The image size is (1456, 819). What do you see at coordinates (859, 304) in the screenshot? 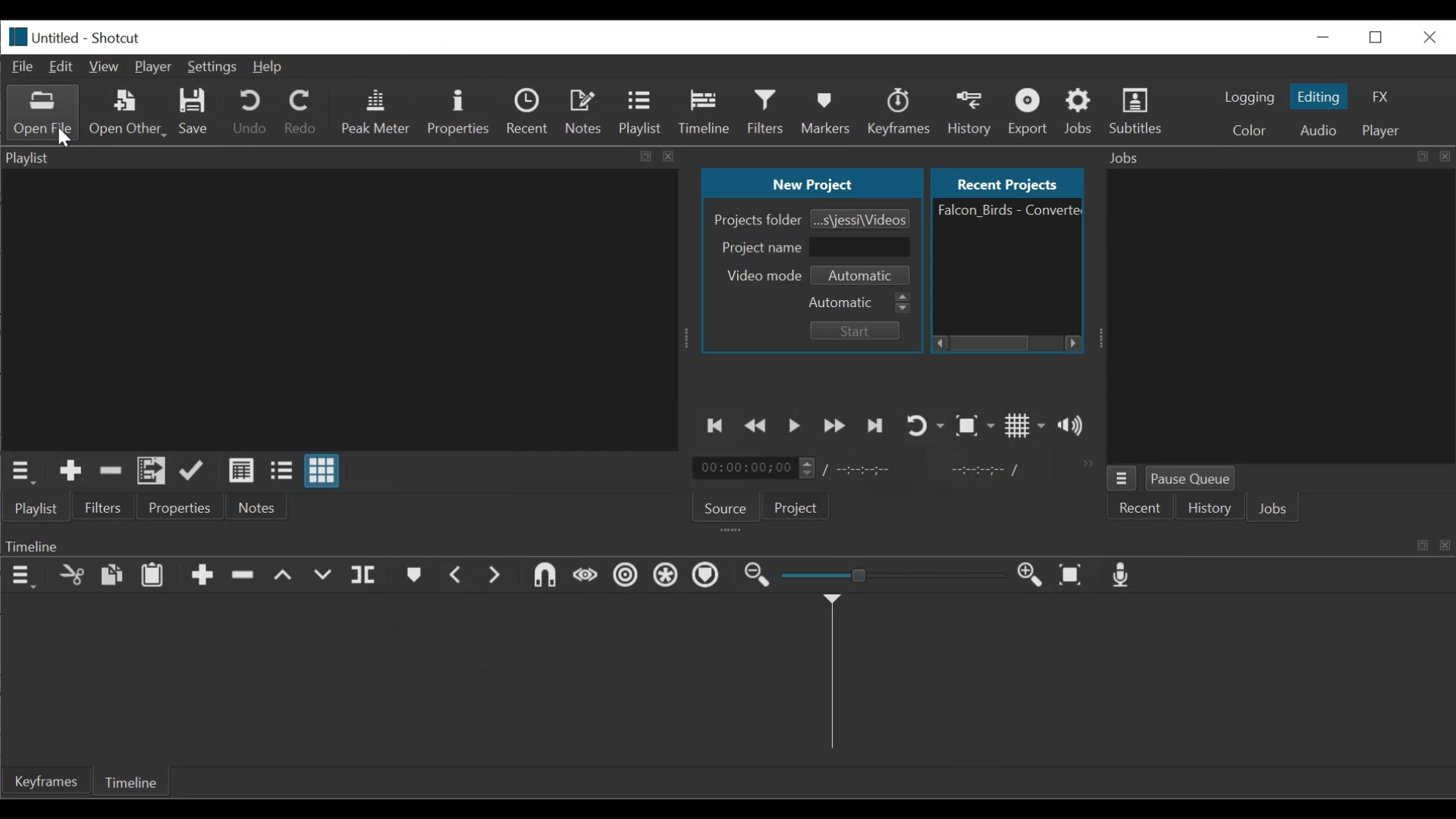
I see `Automatic` at bounding box center [859, 304].